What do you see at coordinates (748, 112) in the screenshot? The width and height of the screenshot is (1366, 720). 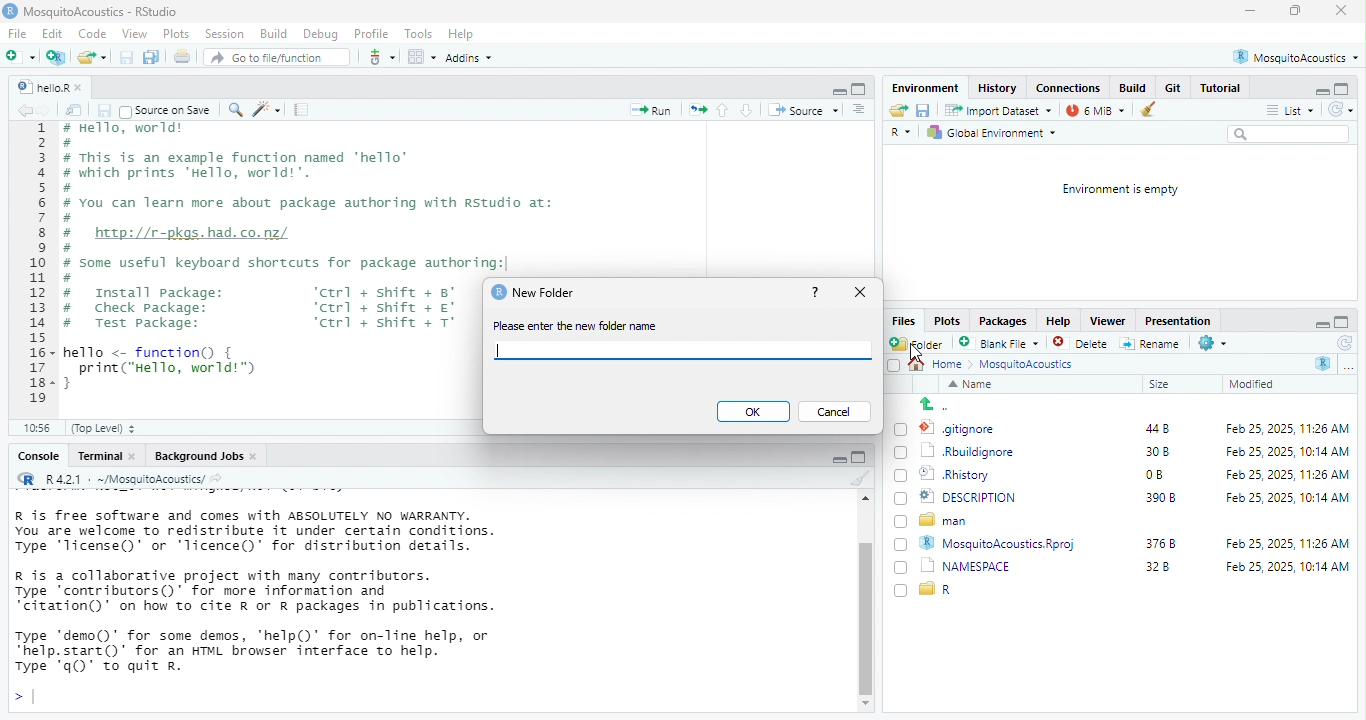 I see `go to next section/chunk` at bounding box center [748, 112].